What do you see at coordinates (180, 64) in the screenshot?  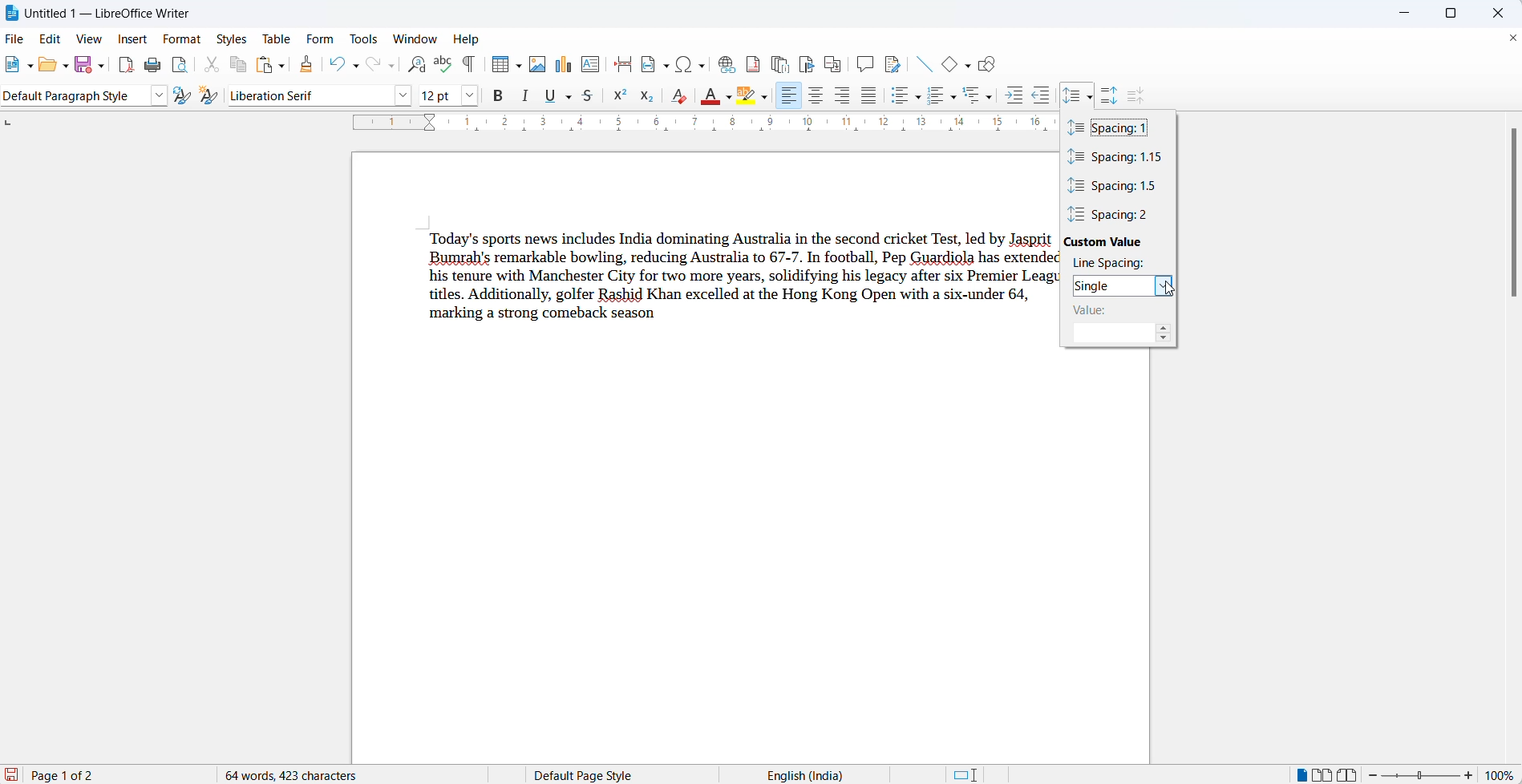 I see `toggle print preview` at bounding box center [180, 64].